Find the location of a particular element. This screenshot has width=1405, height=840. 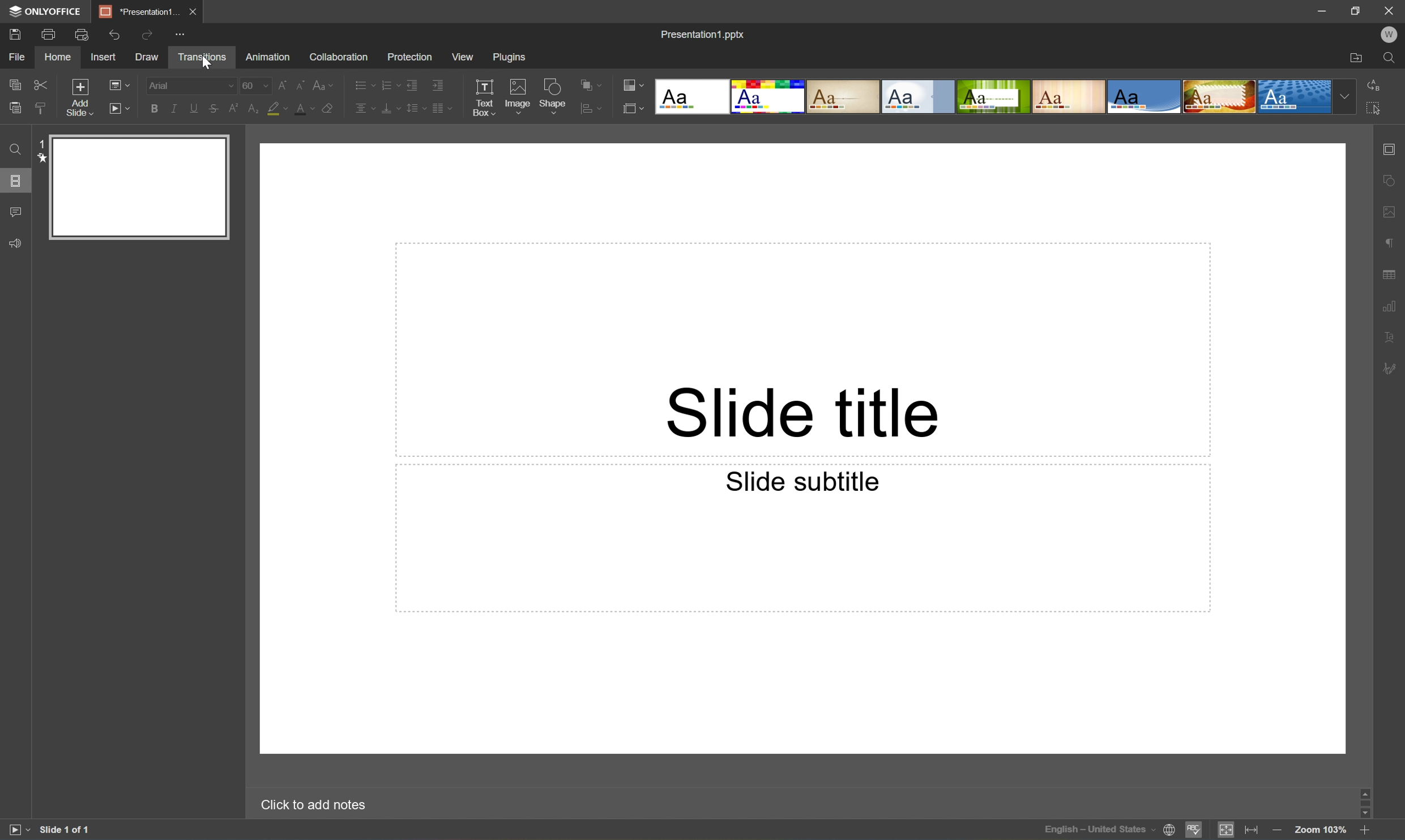

Transitions is located at coordinates (202, 58).